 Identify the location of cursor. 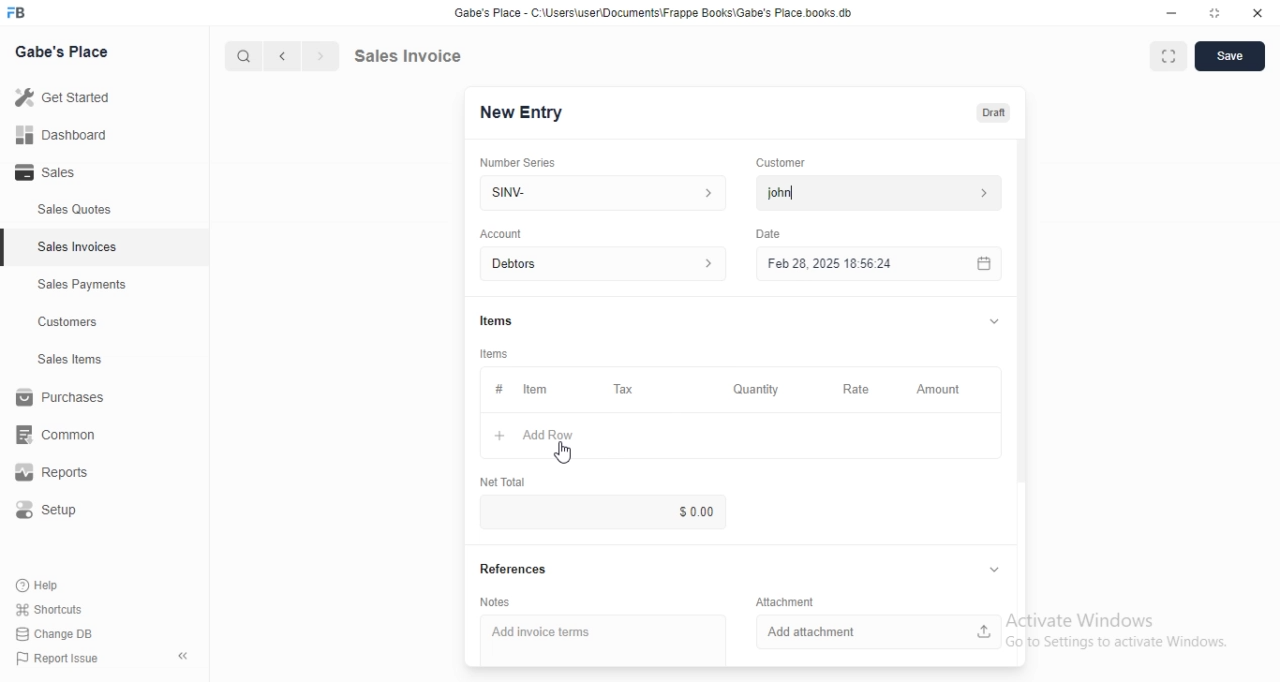
(234, 56).